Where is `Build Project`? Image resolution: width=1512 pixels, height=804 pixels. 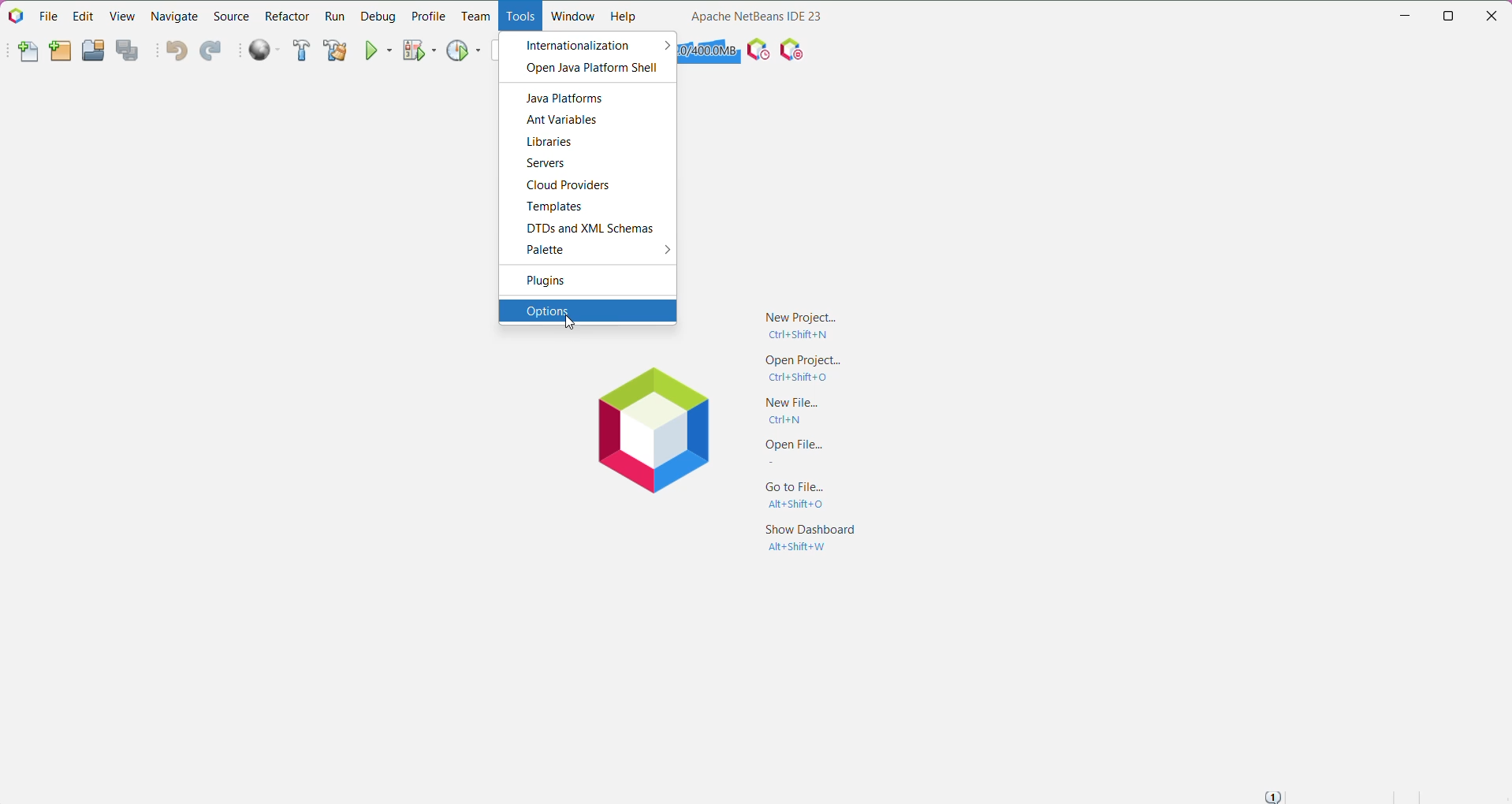
Build Project is located at coordinates (302, 51).